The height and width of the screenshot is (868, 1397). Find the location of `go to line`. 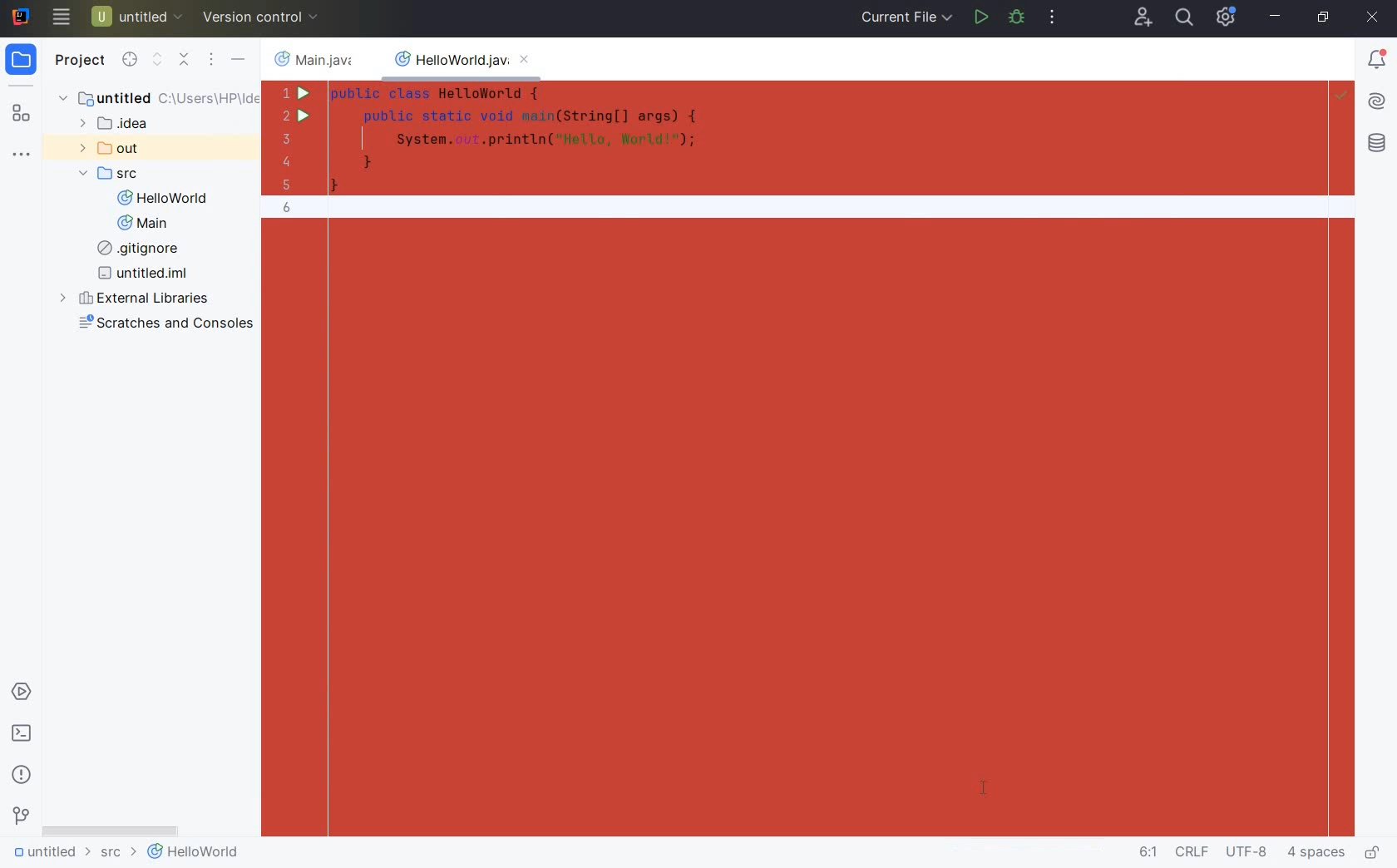

go to line is located at coordinates (1147, 853).